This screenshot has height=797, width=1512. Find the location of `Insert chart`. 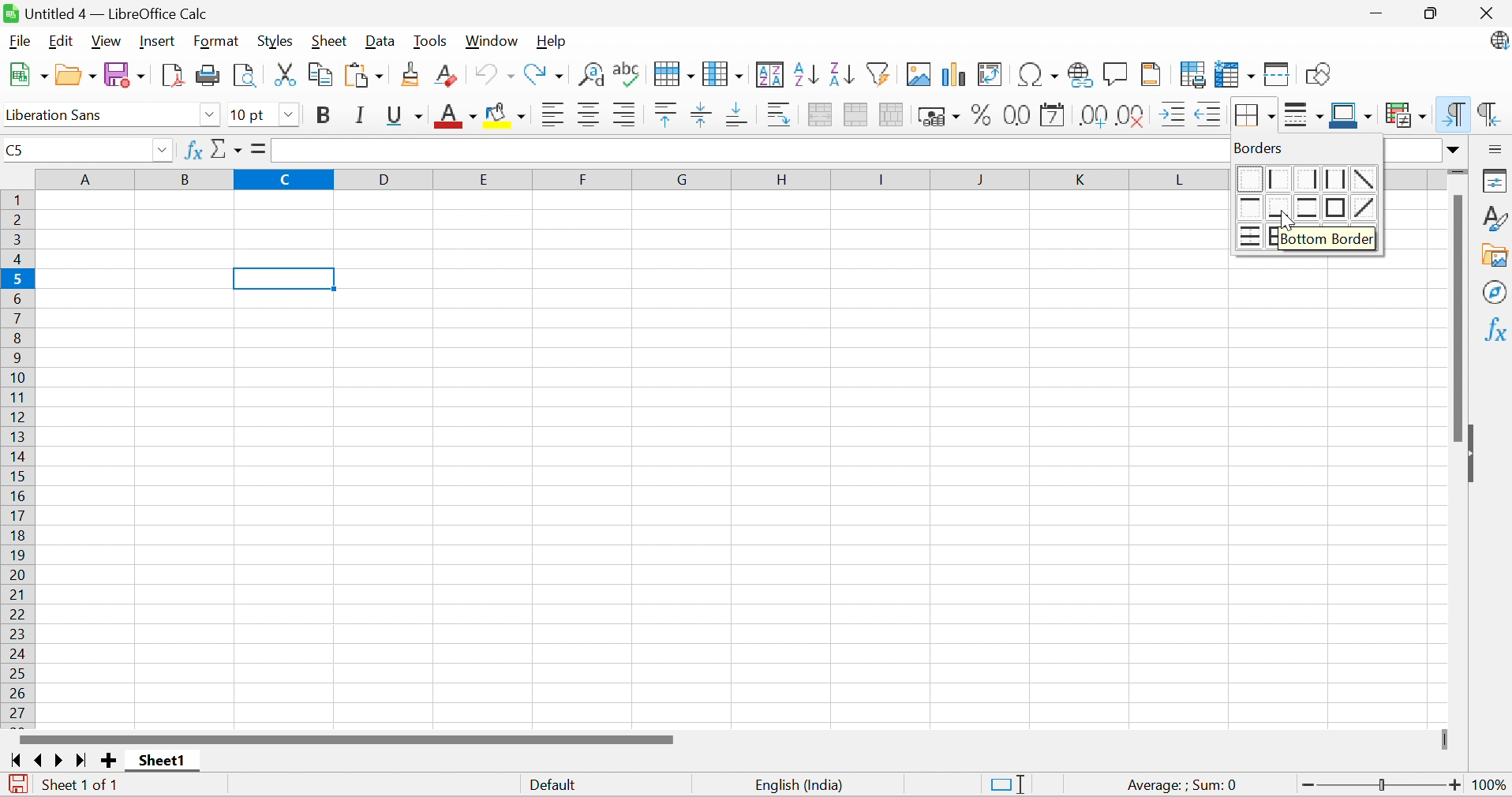

Insert chart is located at coordinates (955, 75).